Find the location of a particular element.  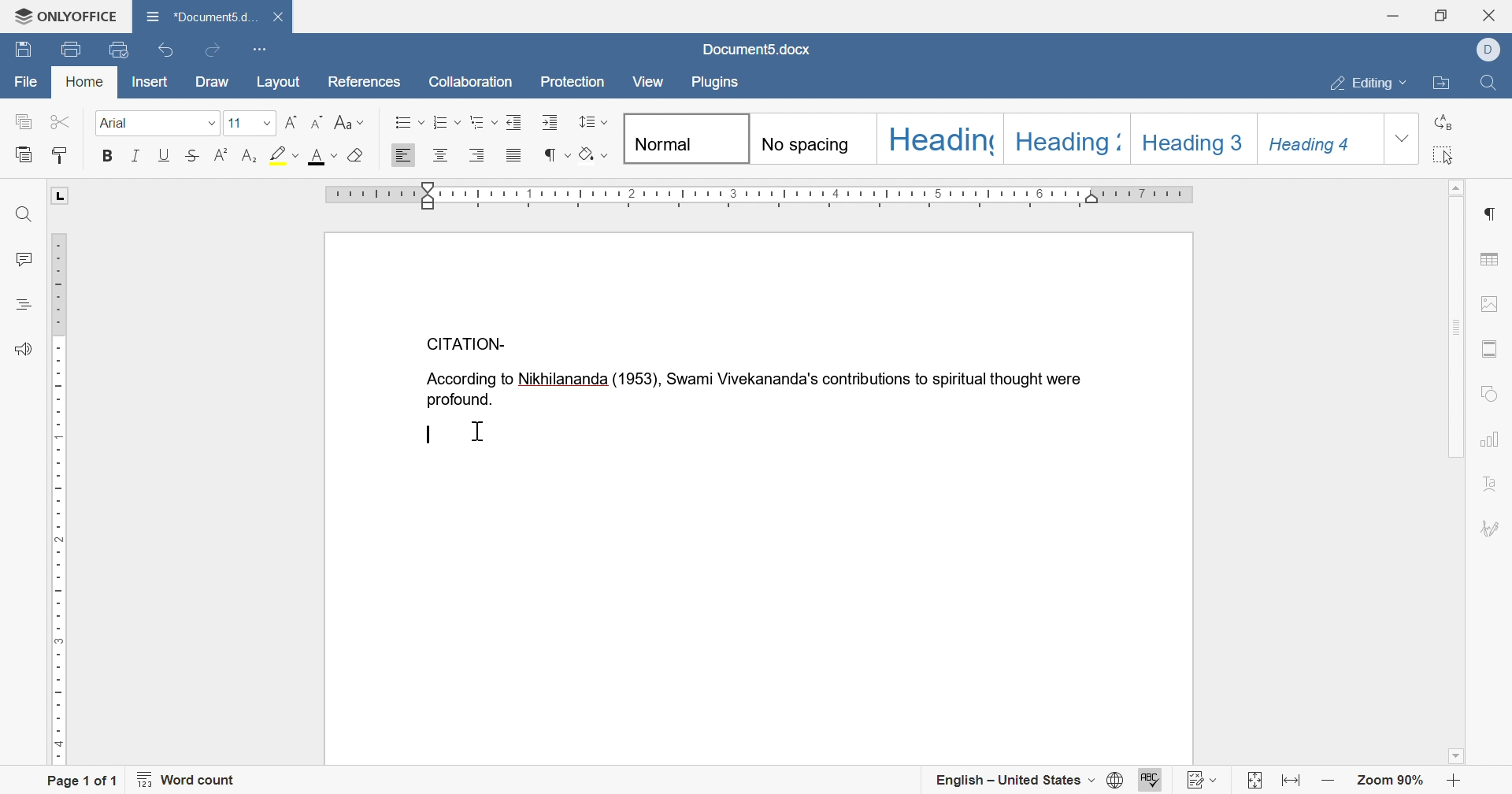

zoom 90% is located at coordinates (1391, 782).